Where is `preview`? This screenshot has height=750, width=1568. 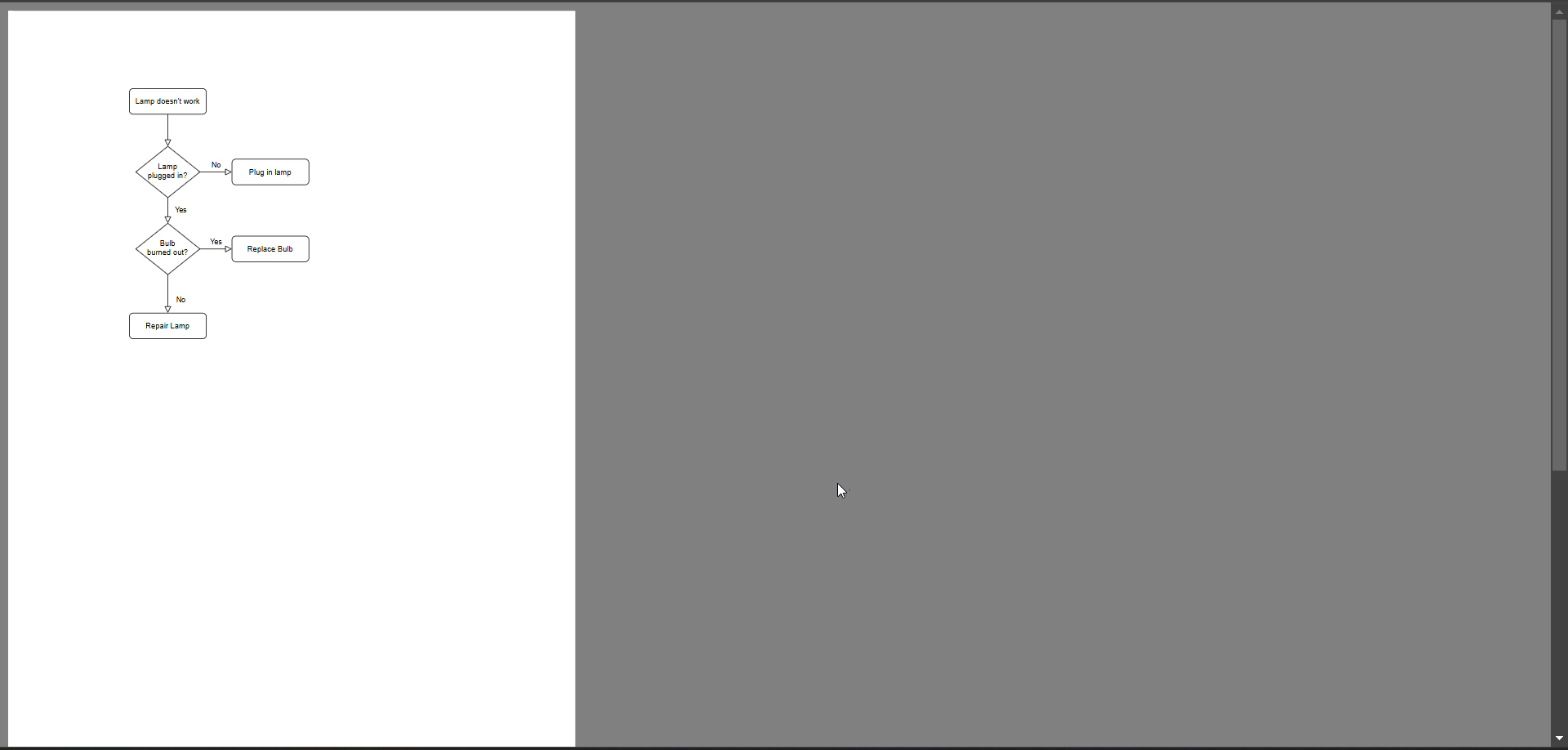
preview is located at coordinates (292, 378).